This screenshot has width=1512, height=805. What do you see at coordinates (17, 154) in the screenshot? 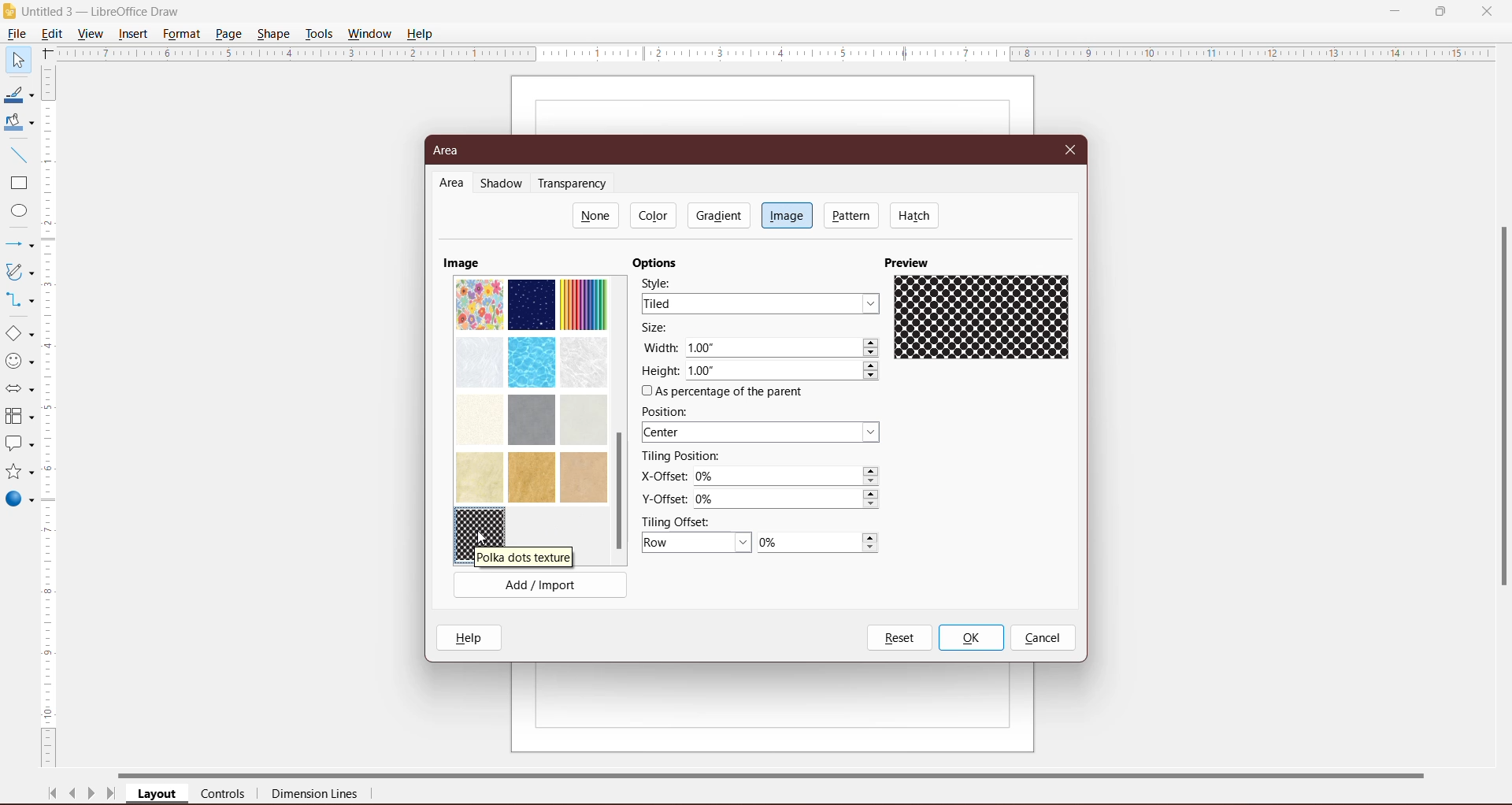
I see `Insert Line` at bounding box center [17, 154].